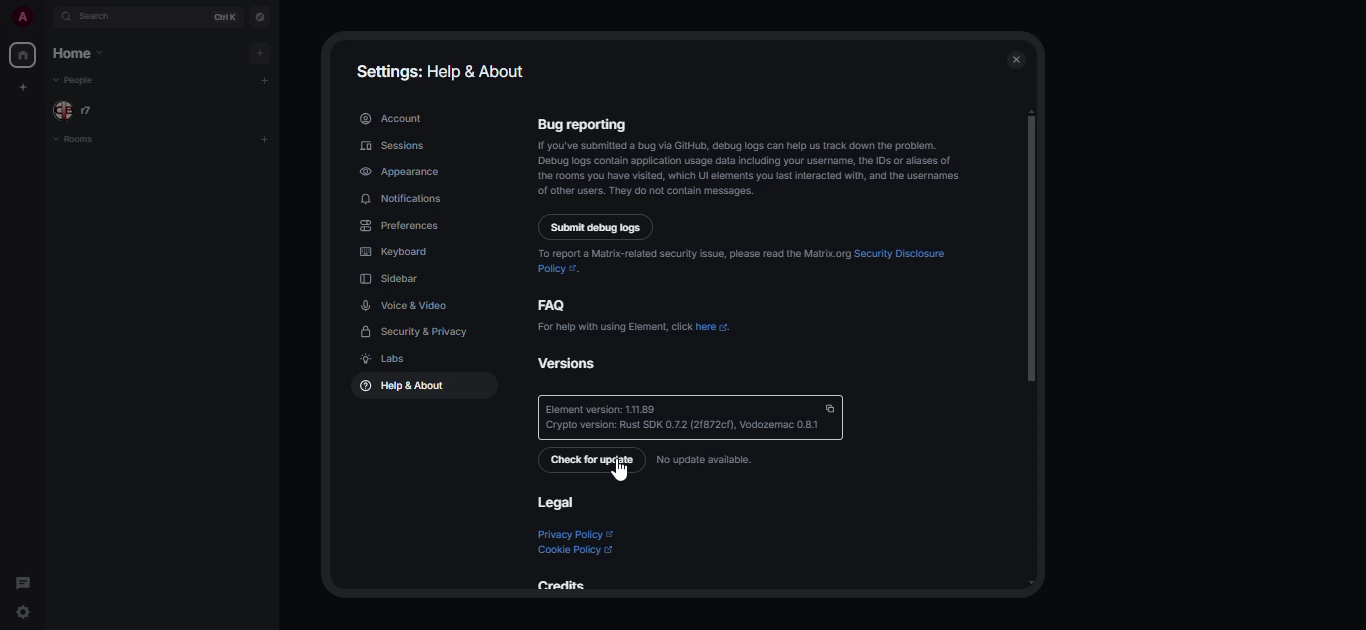 The width and height of the screenshot is (1366, 630). I want to click on home, so click(22, 54).